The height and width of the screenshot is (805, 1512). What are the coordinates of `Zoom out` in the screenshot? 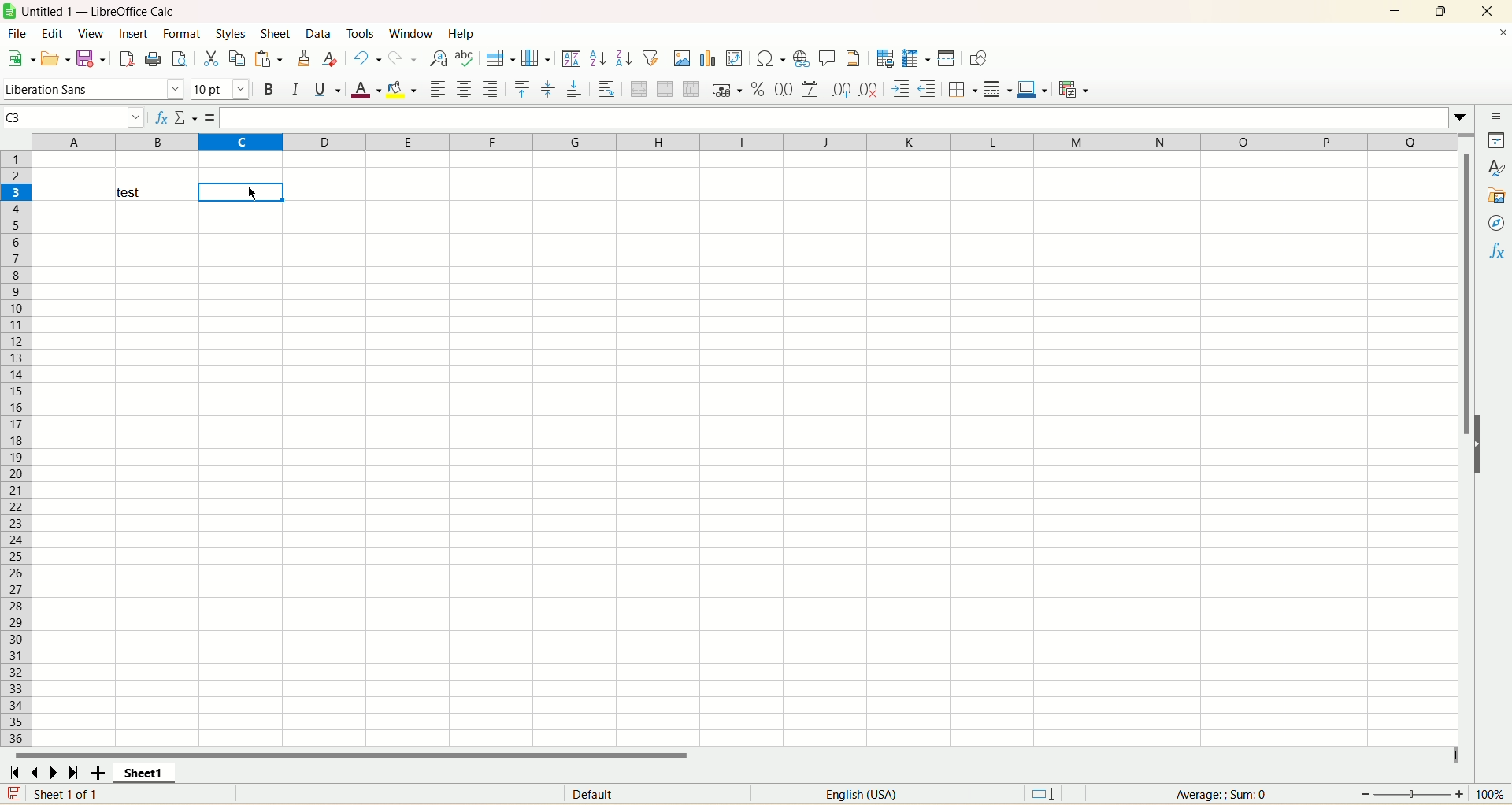 It's located at (1366, 794).